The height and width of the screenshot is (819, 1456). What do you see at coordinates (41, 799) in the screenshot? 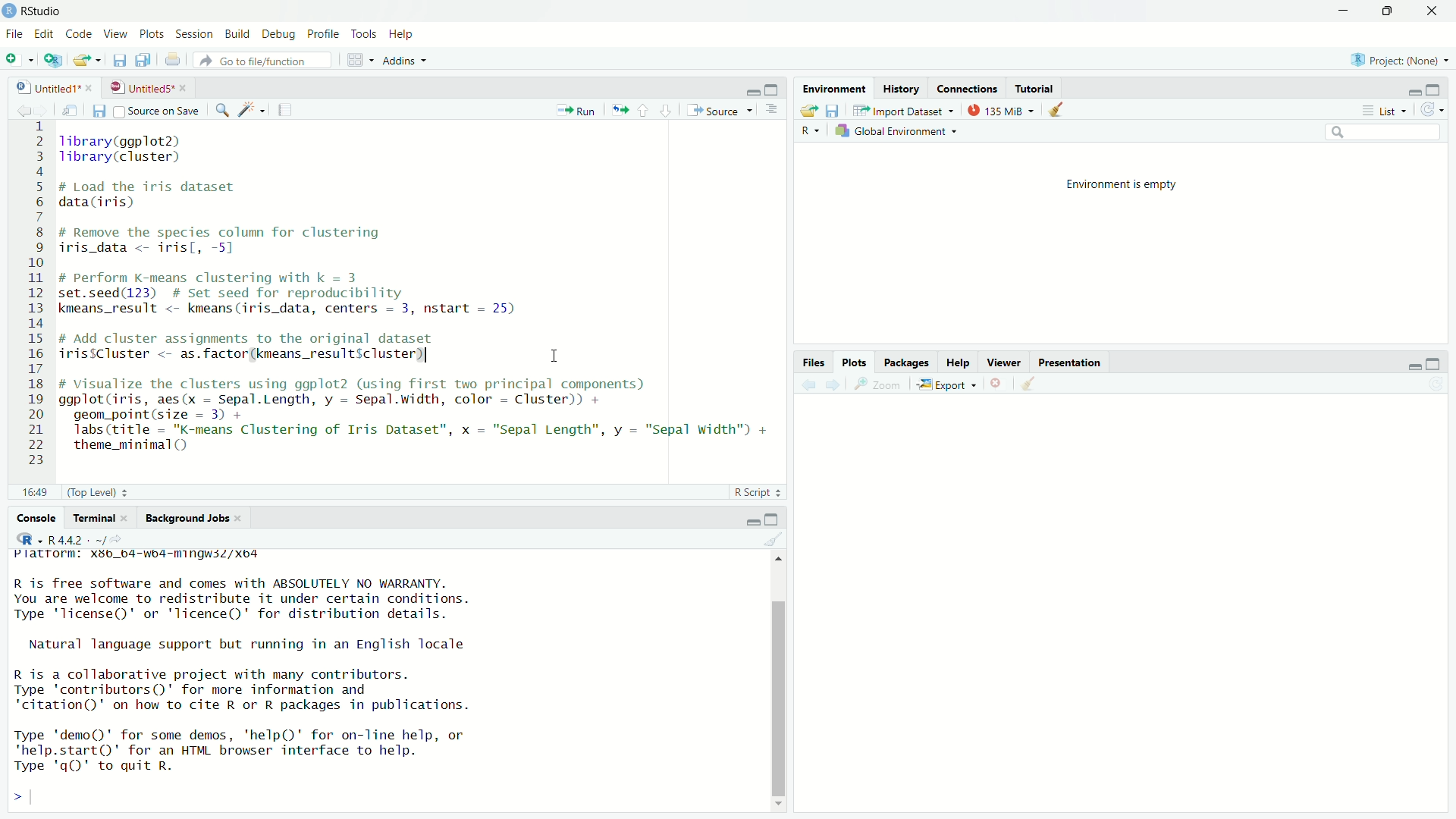
I see `typing cursor` at bounding box center [41, 799].